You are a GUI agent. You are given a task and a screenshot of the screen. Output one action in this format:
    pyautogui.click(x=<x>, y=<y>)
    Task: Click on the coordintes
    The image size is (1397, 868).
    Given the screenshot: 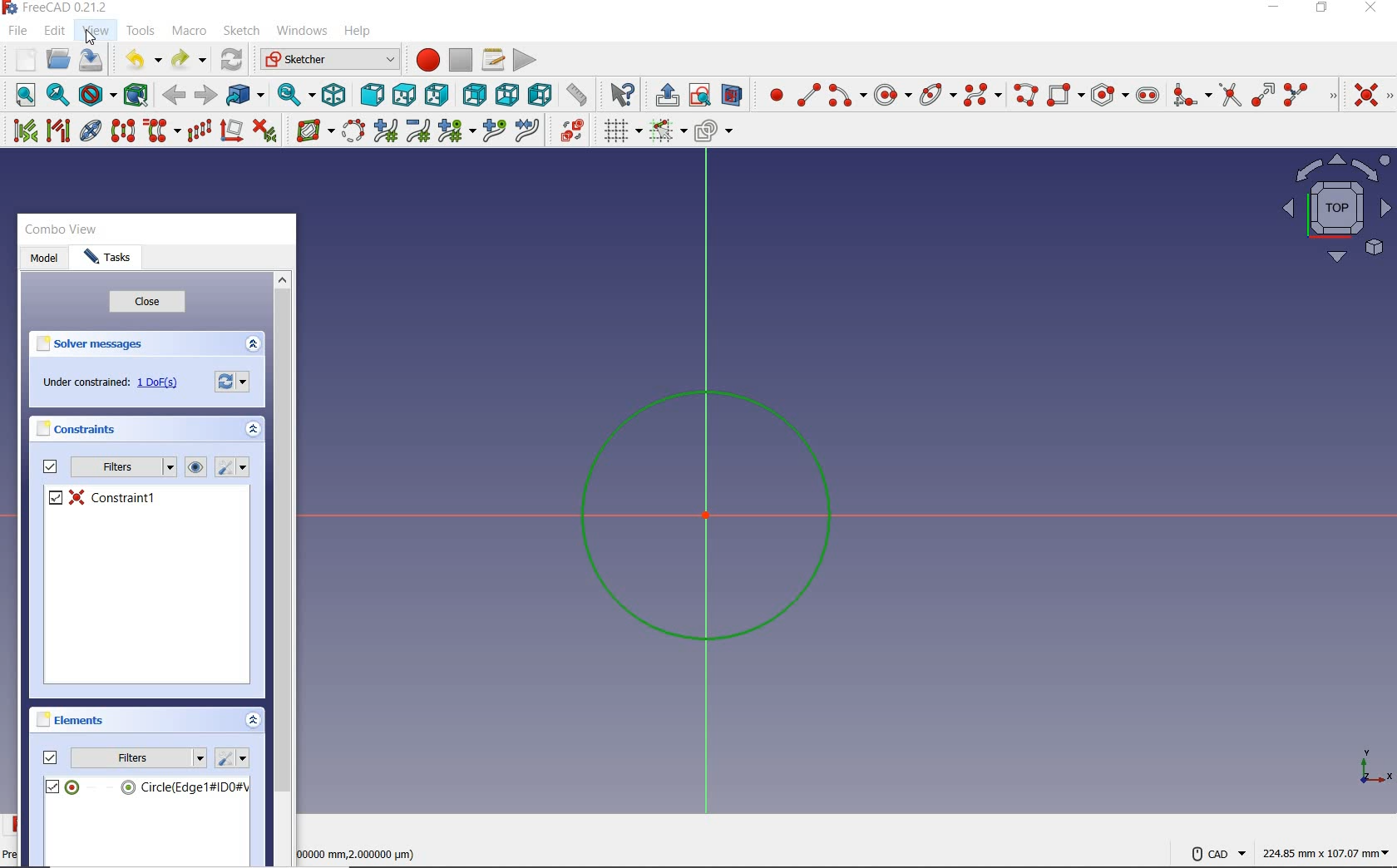 What is the action you would take?
    pyautogui.click(x=1325, y=855)
    